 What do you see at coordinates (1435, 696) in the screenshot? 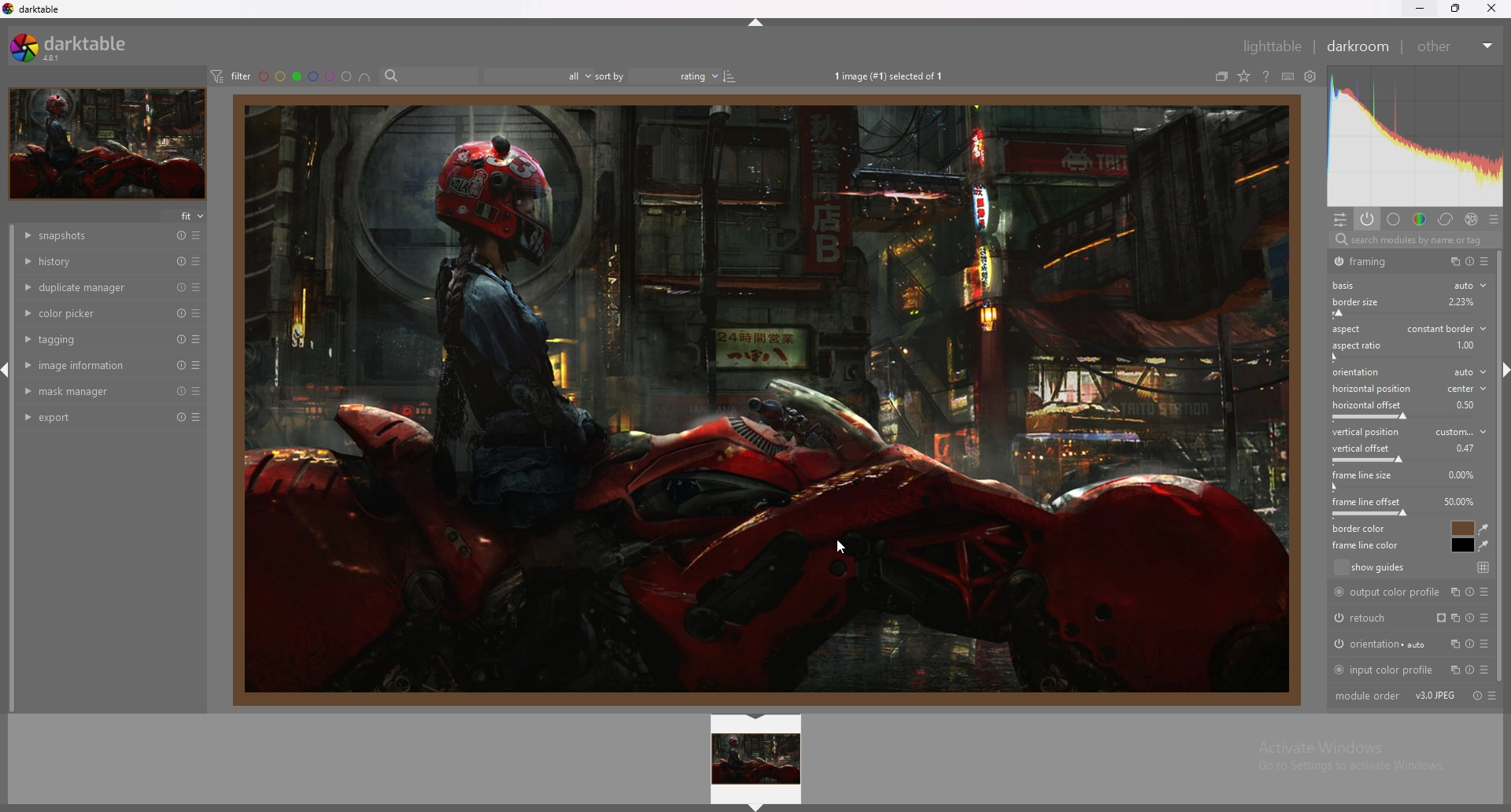
I see `version info` at bounding box center [1435, 696].